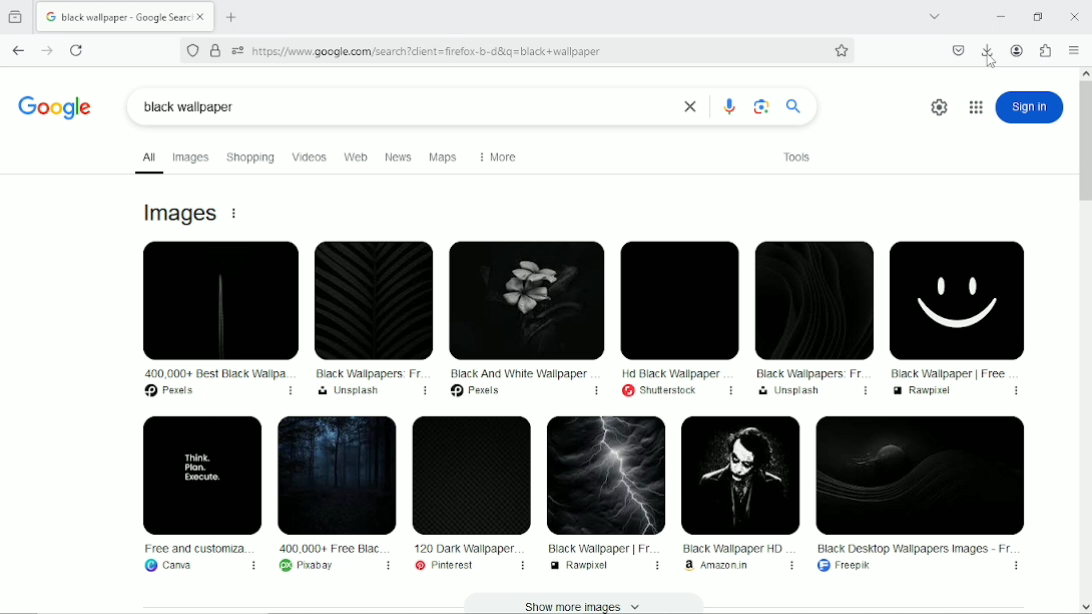 Image resolution: width=1092 pixels, height=614 pixels. What do you see at coordinates (144, 157) in the screenshot?
I see `All` at bounding box center [144, 157].